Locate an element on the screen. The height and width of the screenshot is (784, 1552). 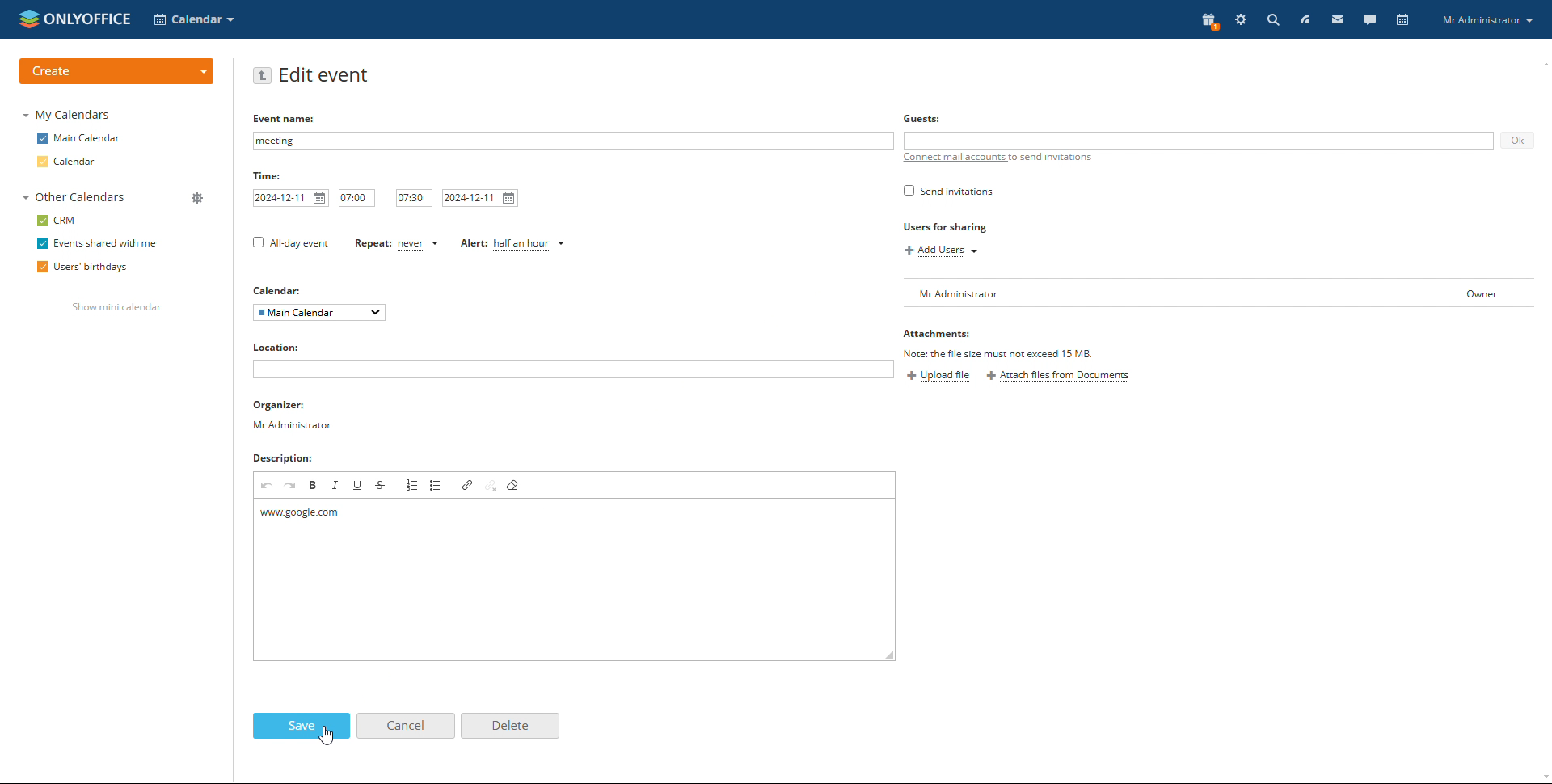
Repeat: is located at coordinates (366, 244).